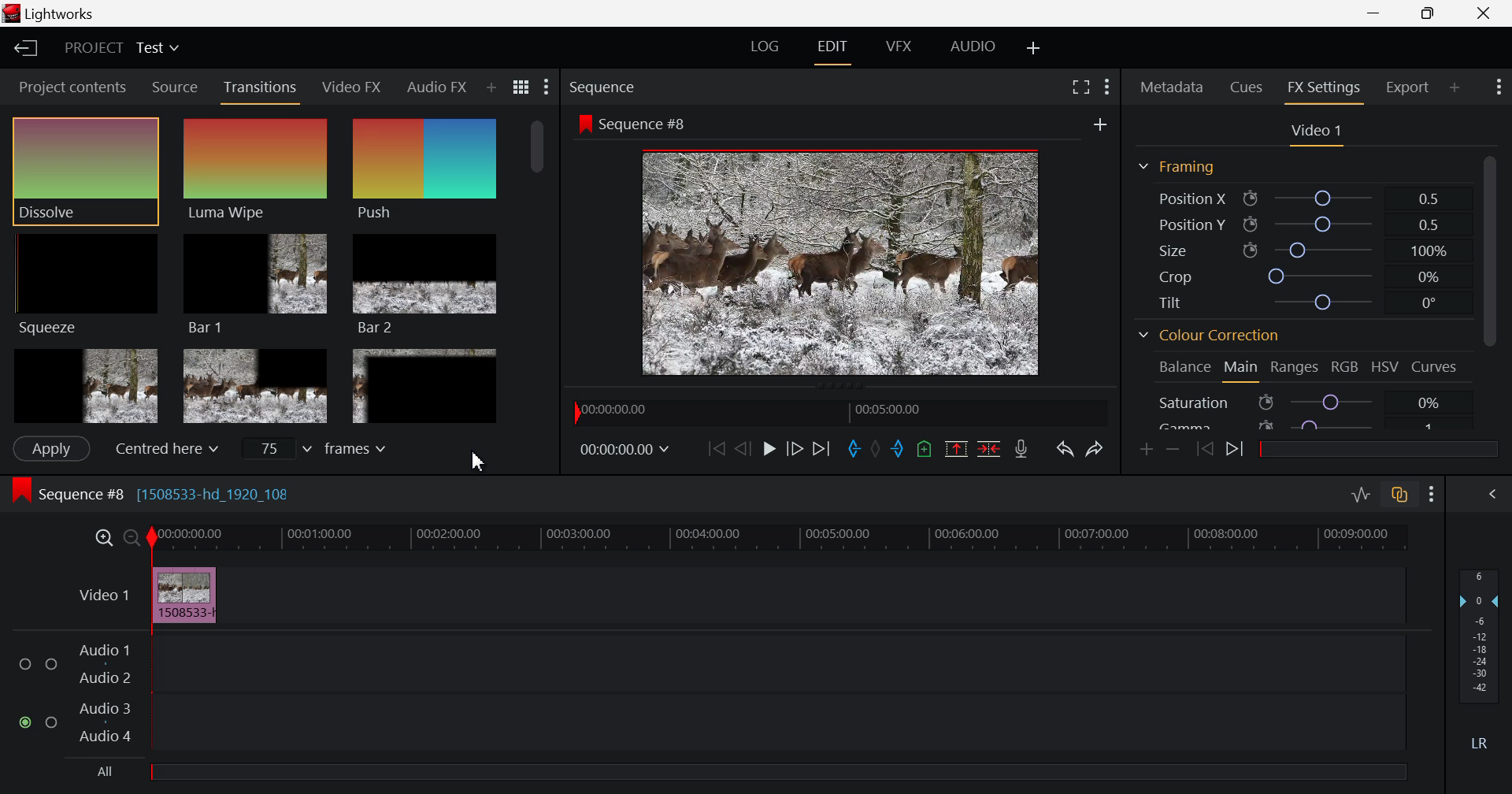 Image resolution: width=1512 pixels, height=794 pixels. Describe the element at coordinates (732, 595) in the screenshot. I see `Clip Inserted in Video Layer` at that location.